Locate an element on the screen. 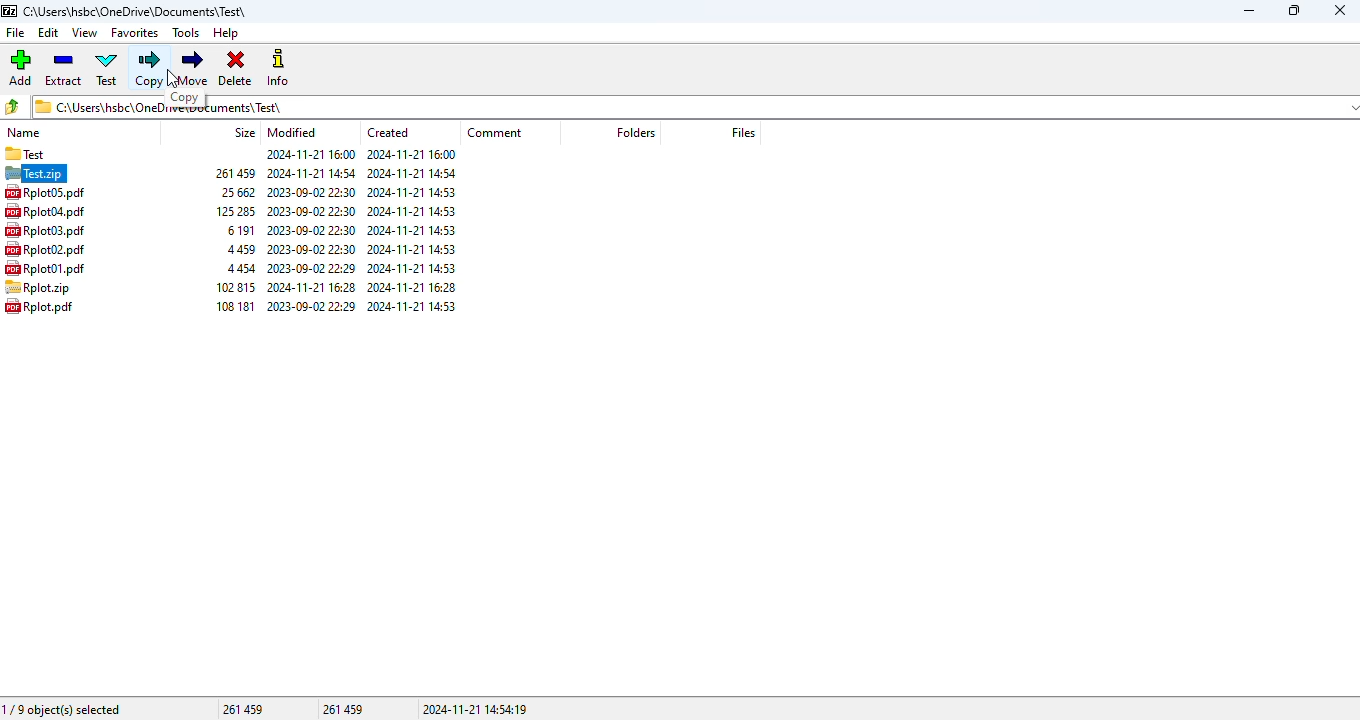  file name is located at coordinates (44, 192).